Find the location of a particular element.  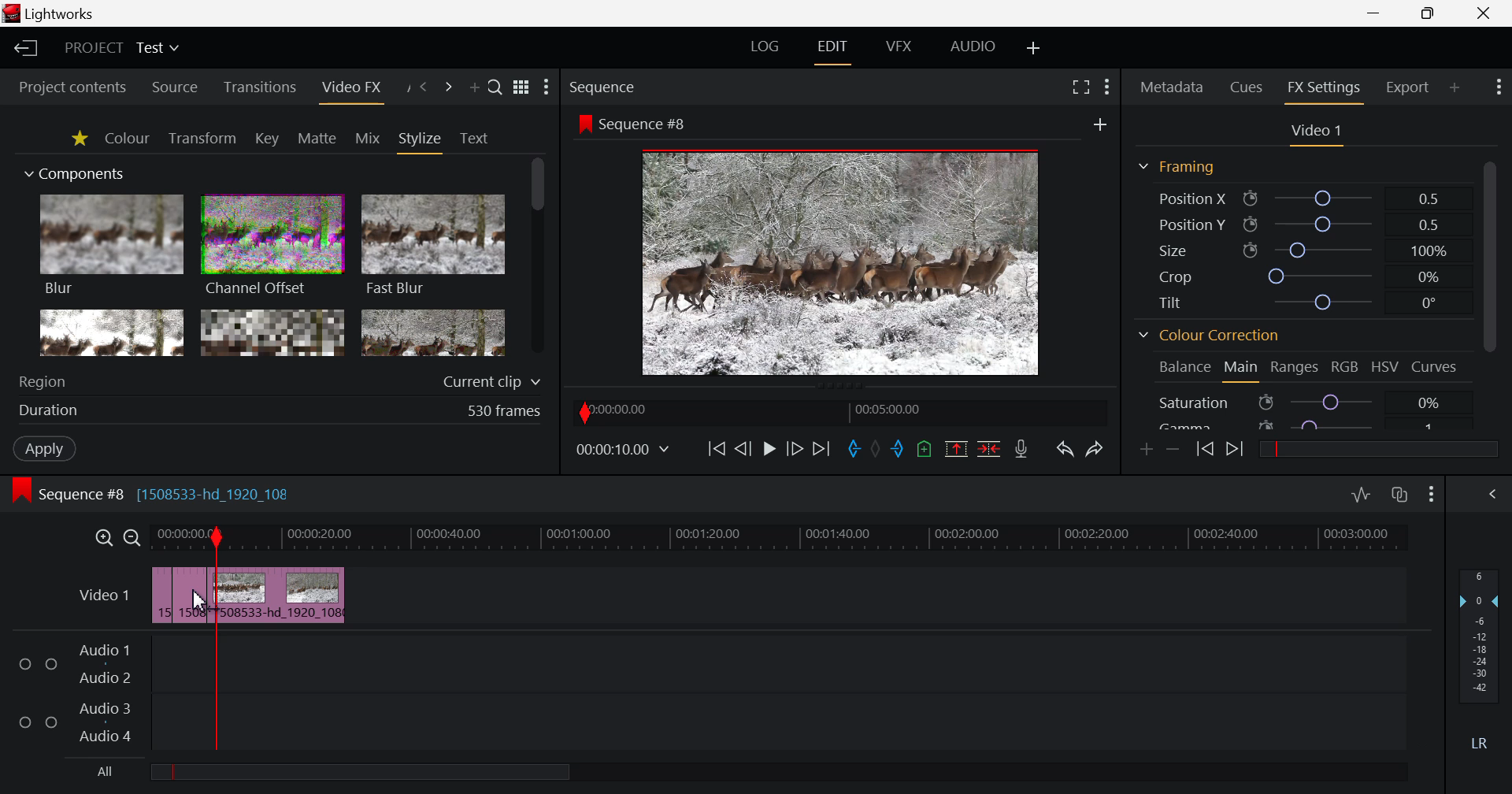

Previous keyframe is located at coordinates (1203, 450).